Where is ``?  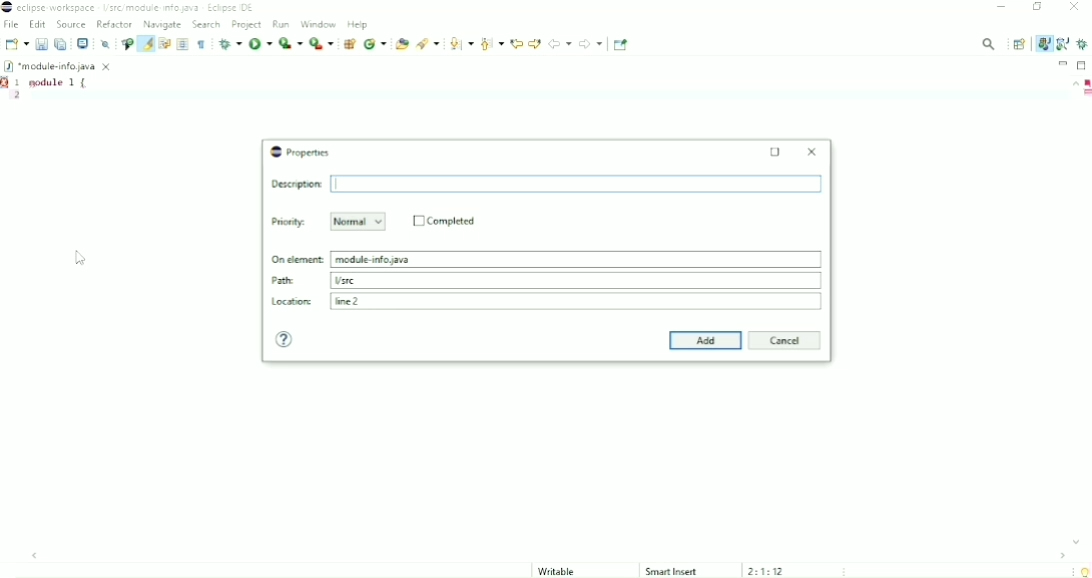
 is located at coordinates (548, 183).